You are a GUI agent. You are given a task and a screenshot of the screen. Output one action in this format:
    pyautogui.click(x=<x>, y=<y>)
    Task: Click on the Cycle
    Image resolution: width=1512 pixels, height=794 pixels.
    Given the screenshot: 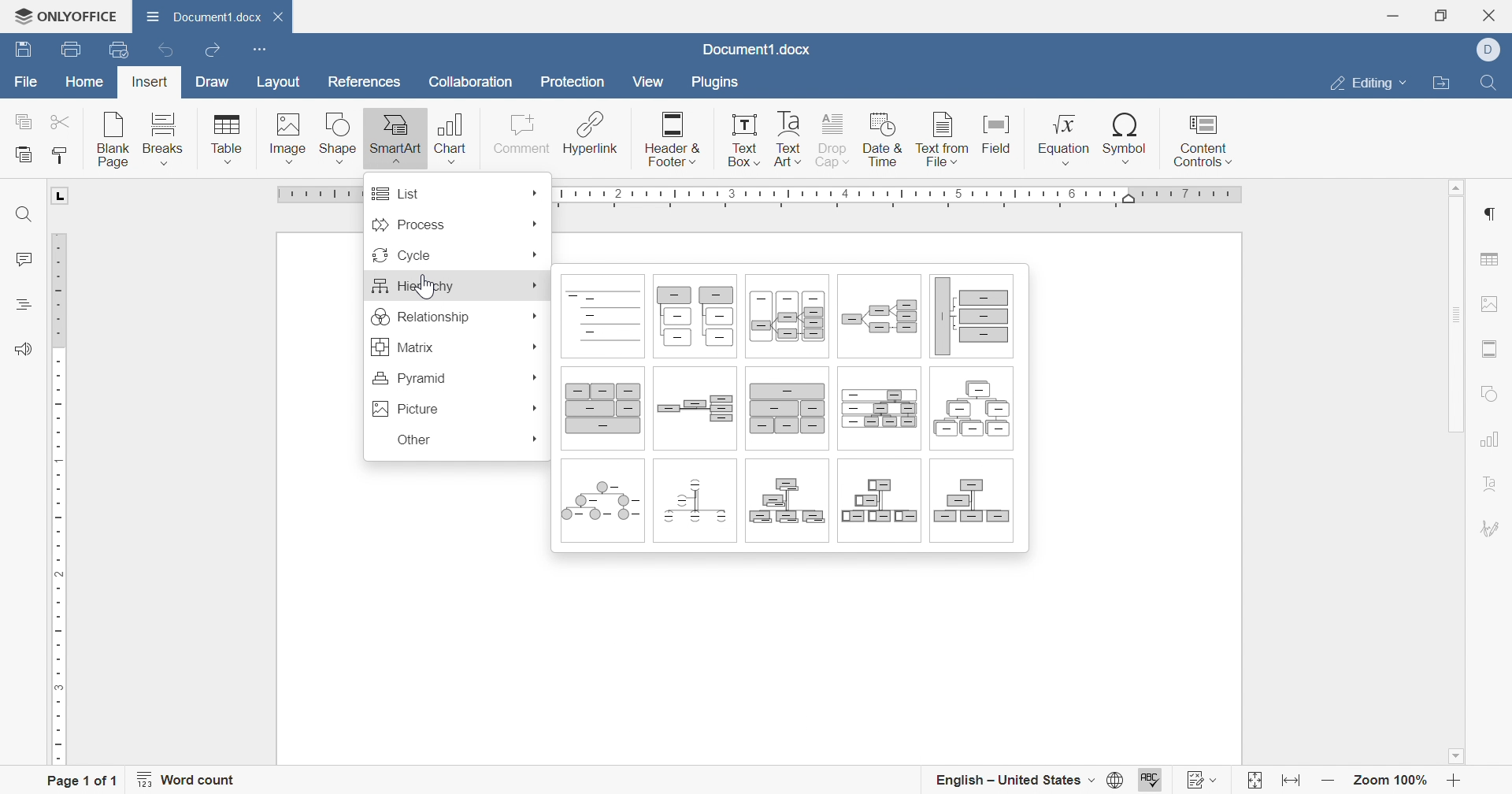 What is the action you would take?
    pyautogui.click(x=400, y=255)
    